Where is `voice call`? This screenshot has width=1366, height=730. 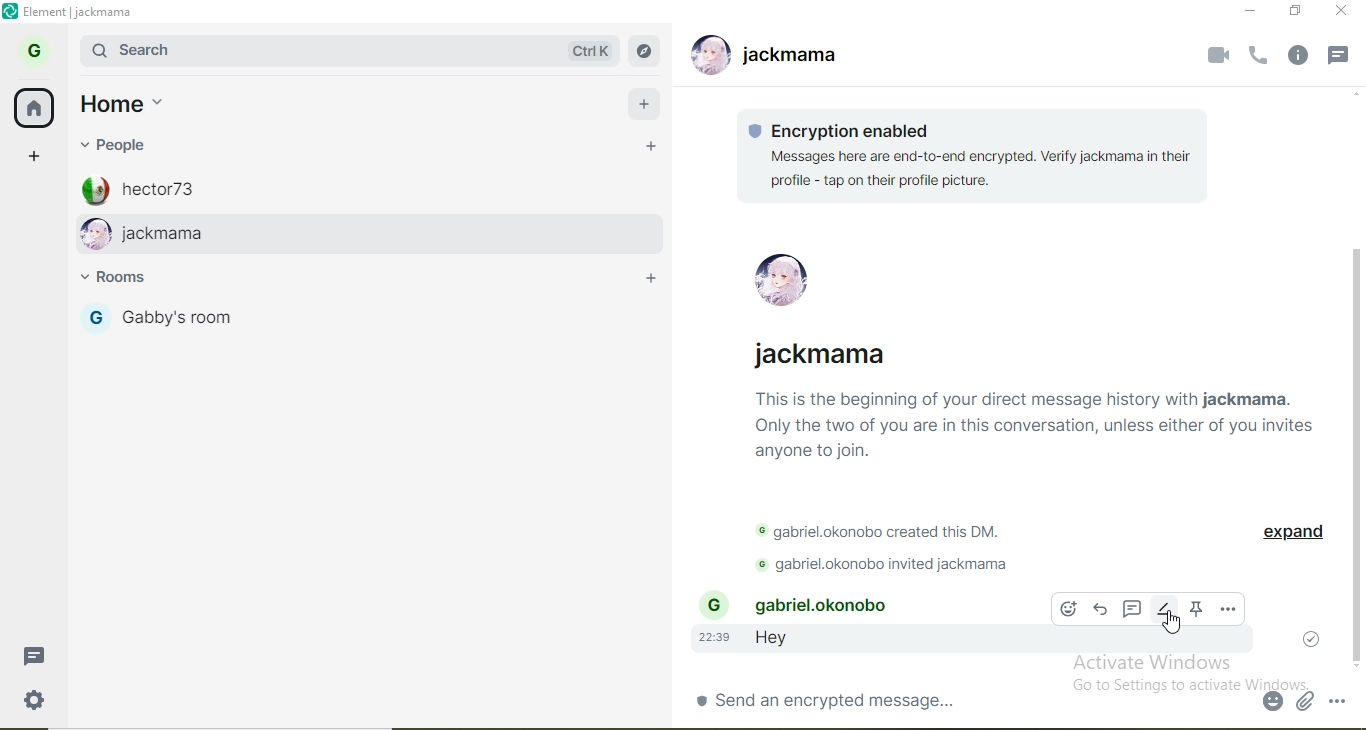 voice call is located at coordinates (1257, 60).